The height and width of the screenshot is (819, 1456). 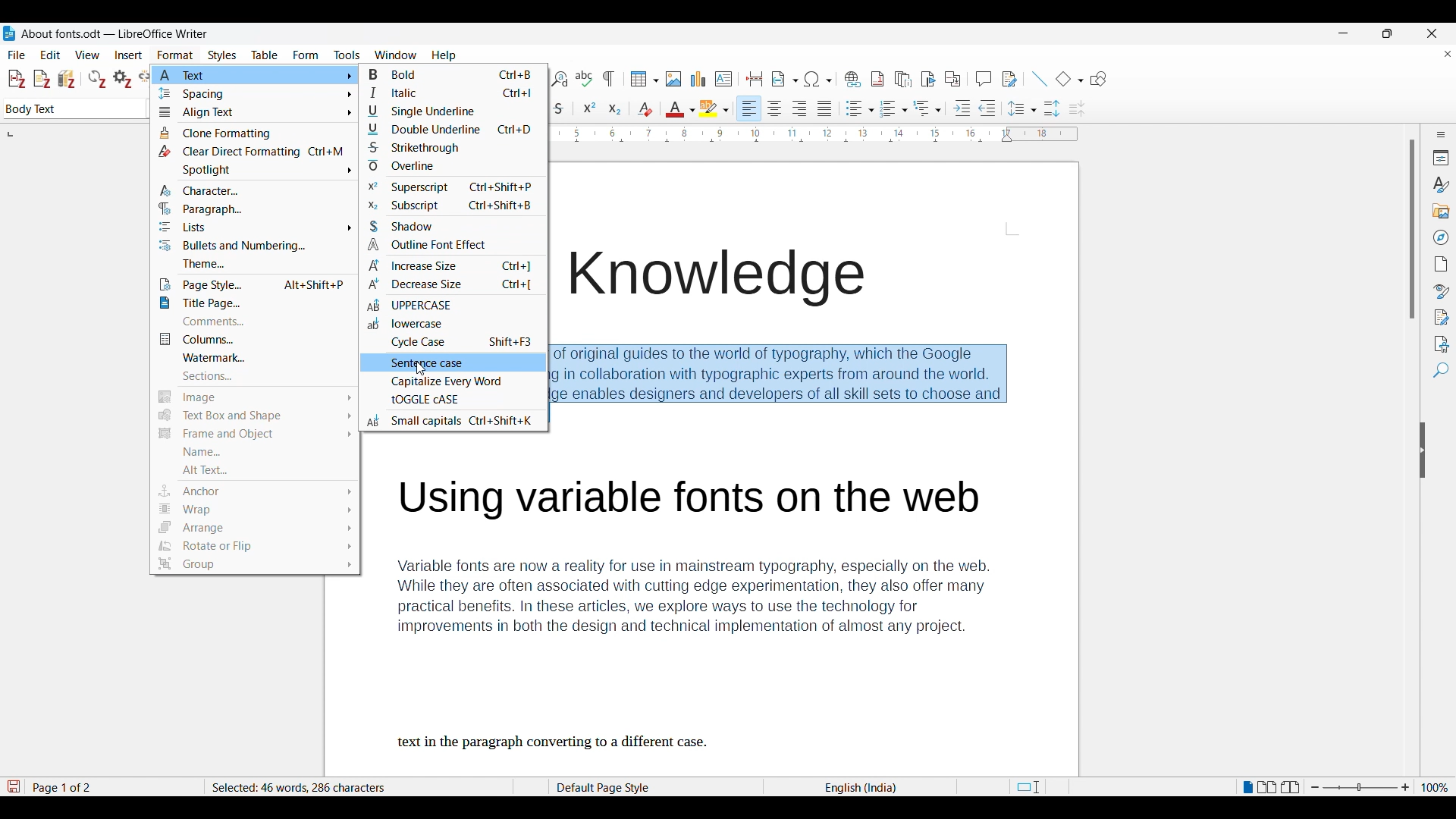 I want to click on character, so click(x=240, y=191).